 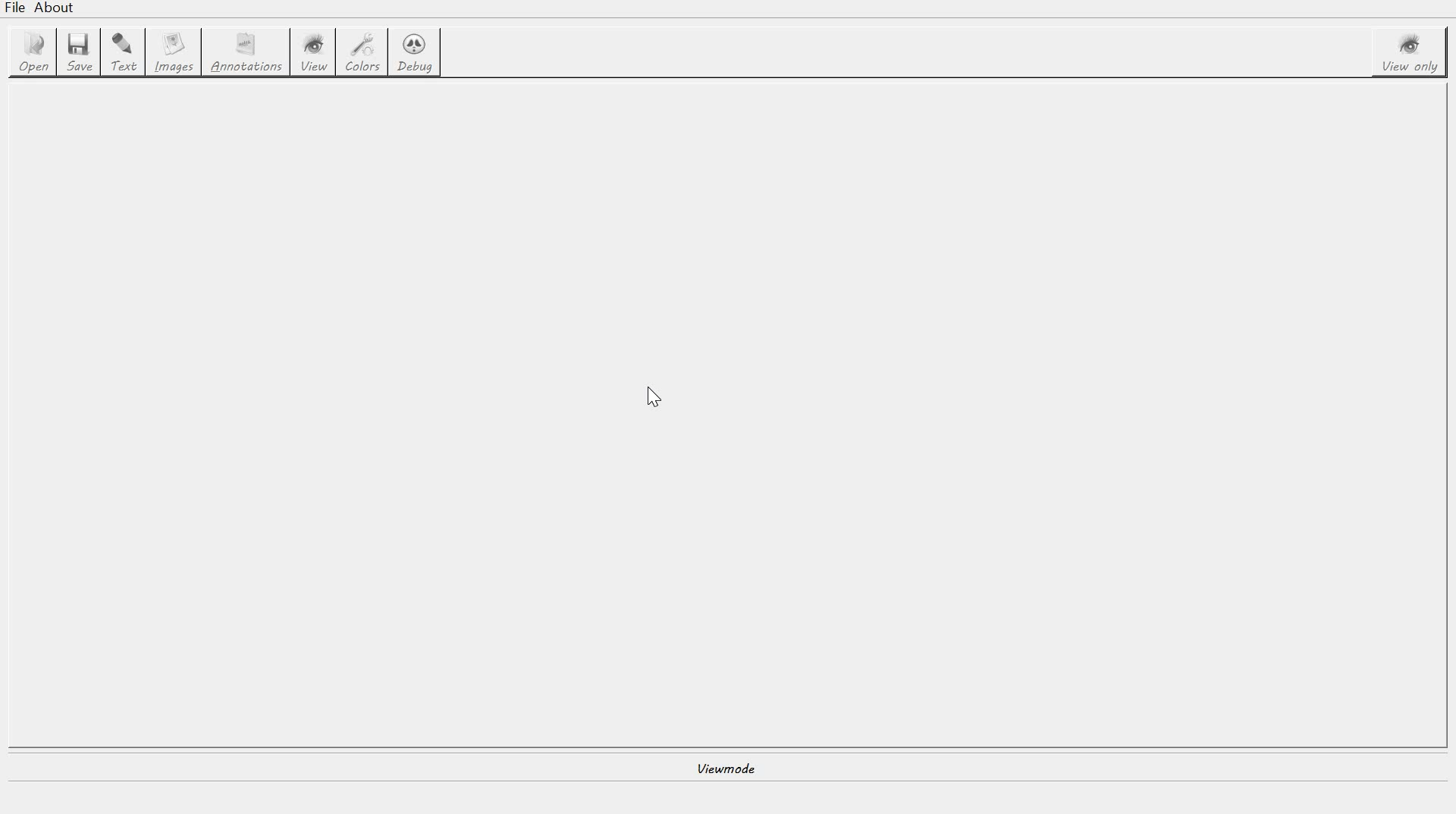 What do you see at coordinates (363, 54) in the screenshot?
I see `colors` at bounding box center [363, 54].